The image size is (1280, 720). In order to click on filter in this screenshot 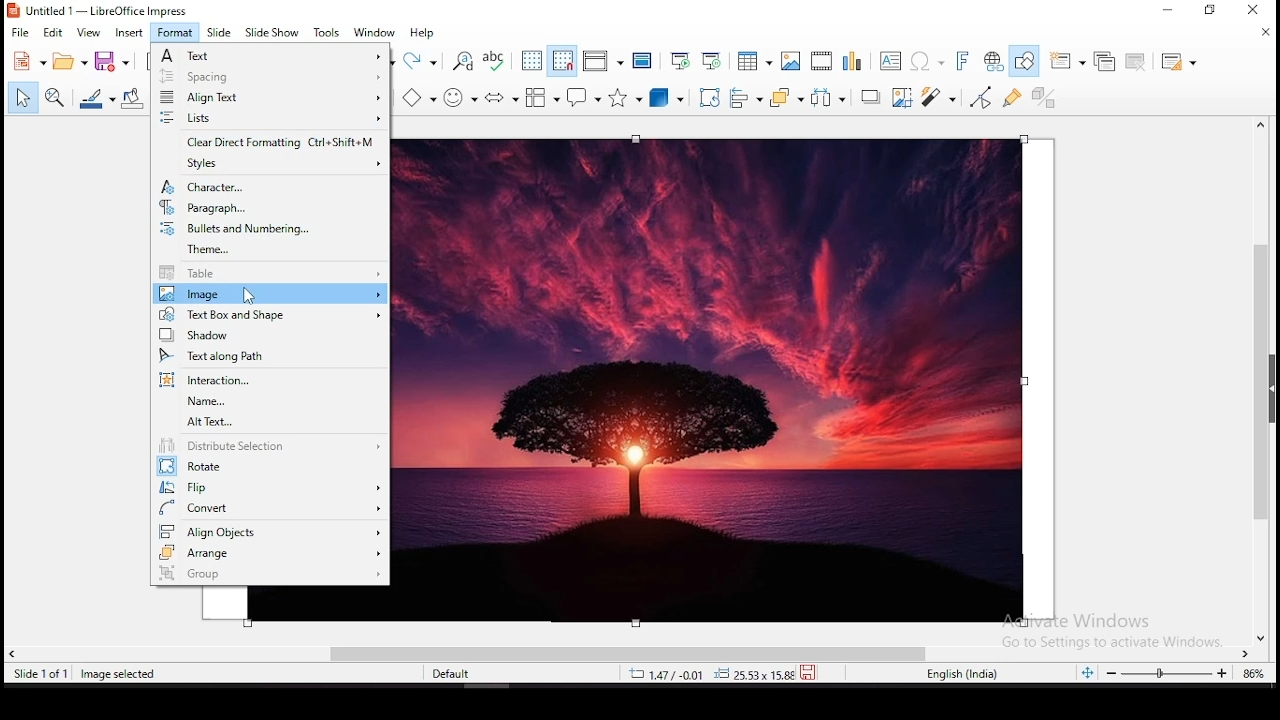, I will do `click(937, 97)`.